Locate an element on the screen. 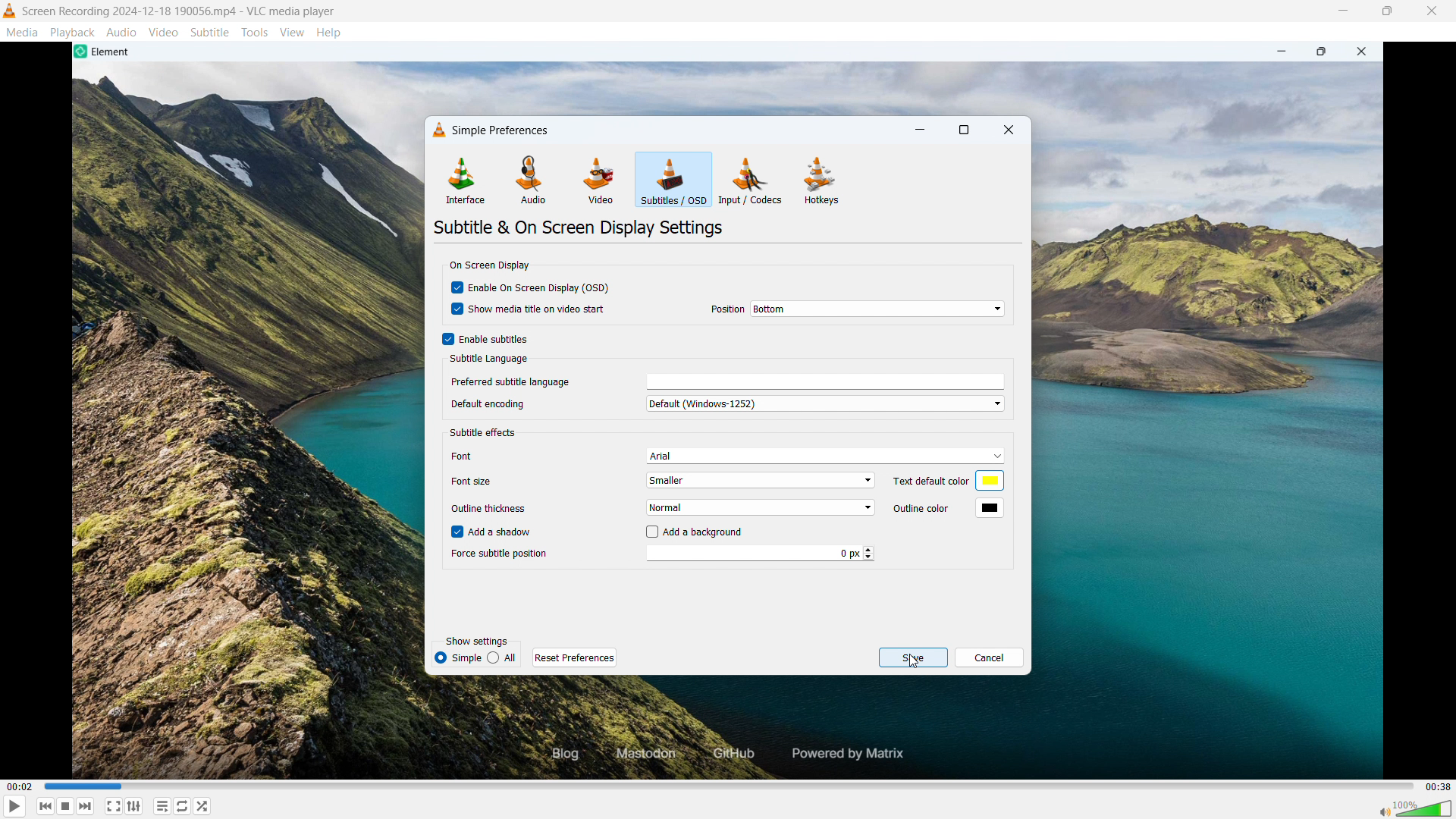  Select outline thickness  is located at coordinates (764, 506).